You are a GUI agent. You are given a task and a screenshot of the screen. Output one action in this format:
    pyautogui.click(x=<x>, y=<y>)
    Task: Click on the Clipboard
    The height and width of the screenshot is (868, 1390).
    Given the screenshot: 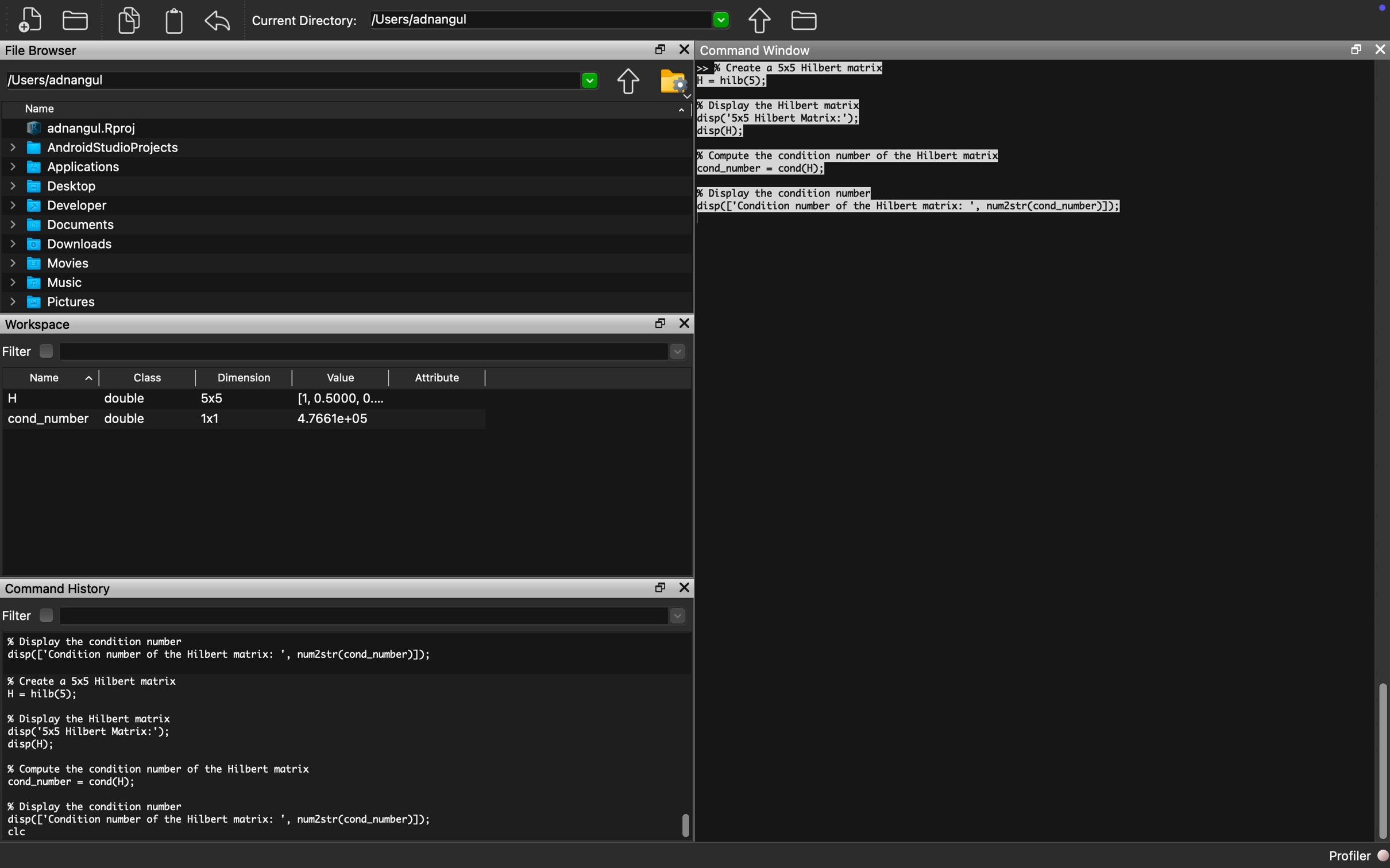 What is the action you would take?
    pyautogui.click(x=175, y=20)
    